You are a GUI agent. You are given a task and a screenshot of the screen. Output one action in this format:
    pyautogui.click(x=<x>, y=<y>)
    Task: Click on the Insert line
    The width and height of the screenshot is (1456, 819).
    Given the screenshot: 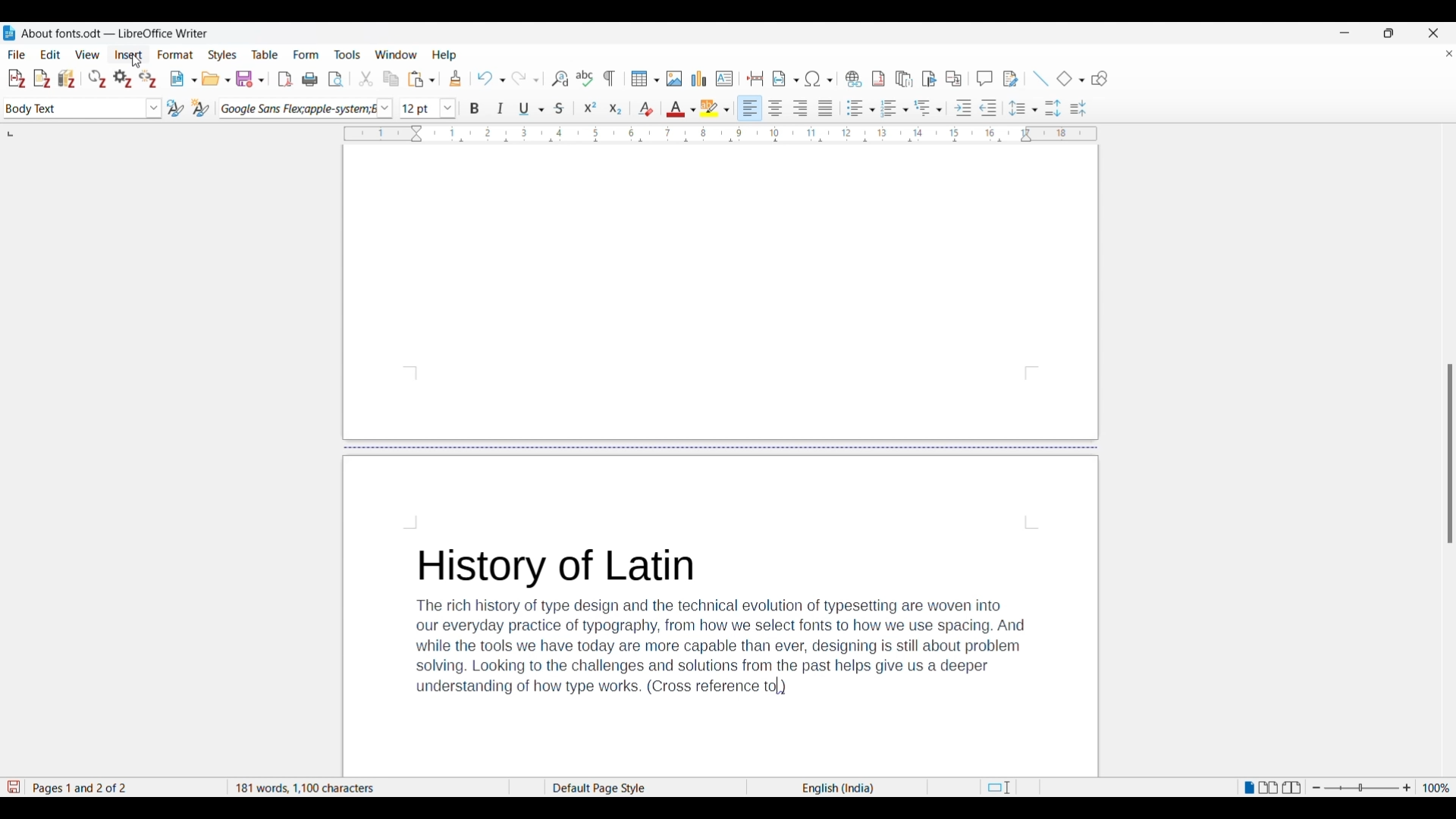 What is the action you would take?
    pyautogui.click(x=1040, y=79)
    